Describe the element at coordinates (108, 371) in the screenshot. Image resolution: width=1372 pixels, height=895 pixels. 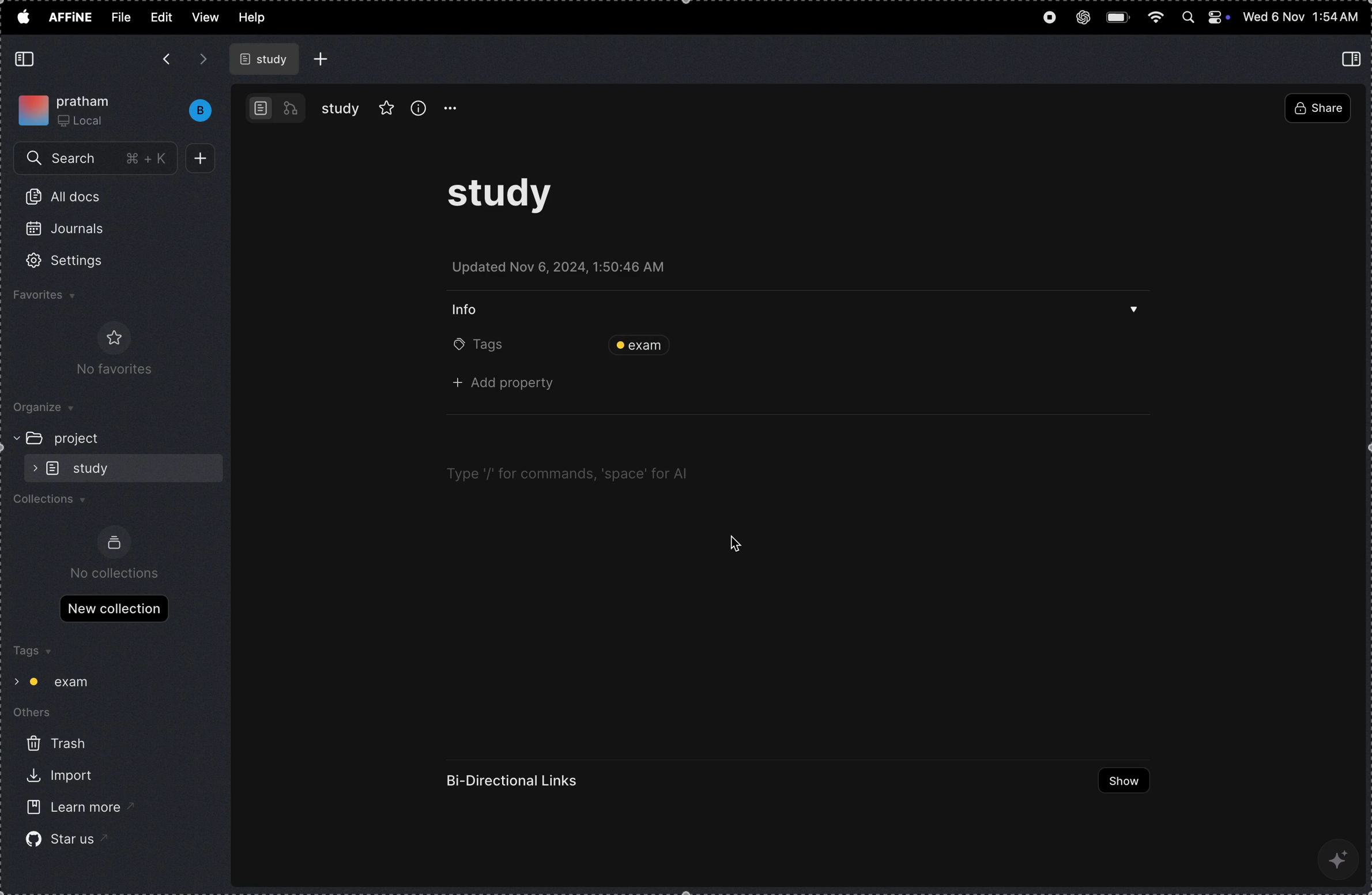
I see `No favorites` at that location.